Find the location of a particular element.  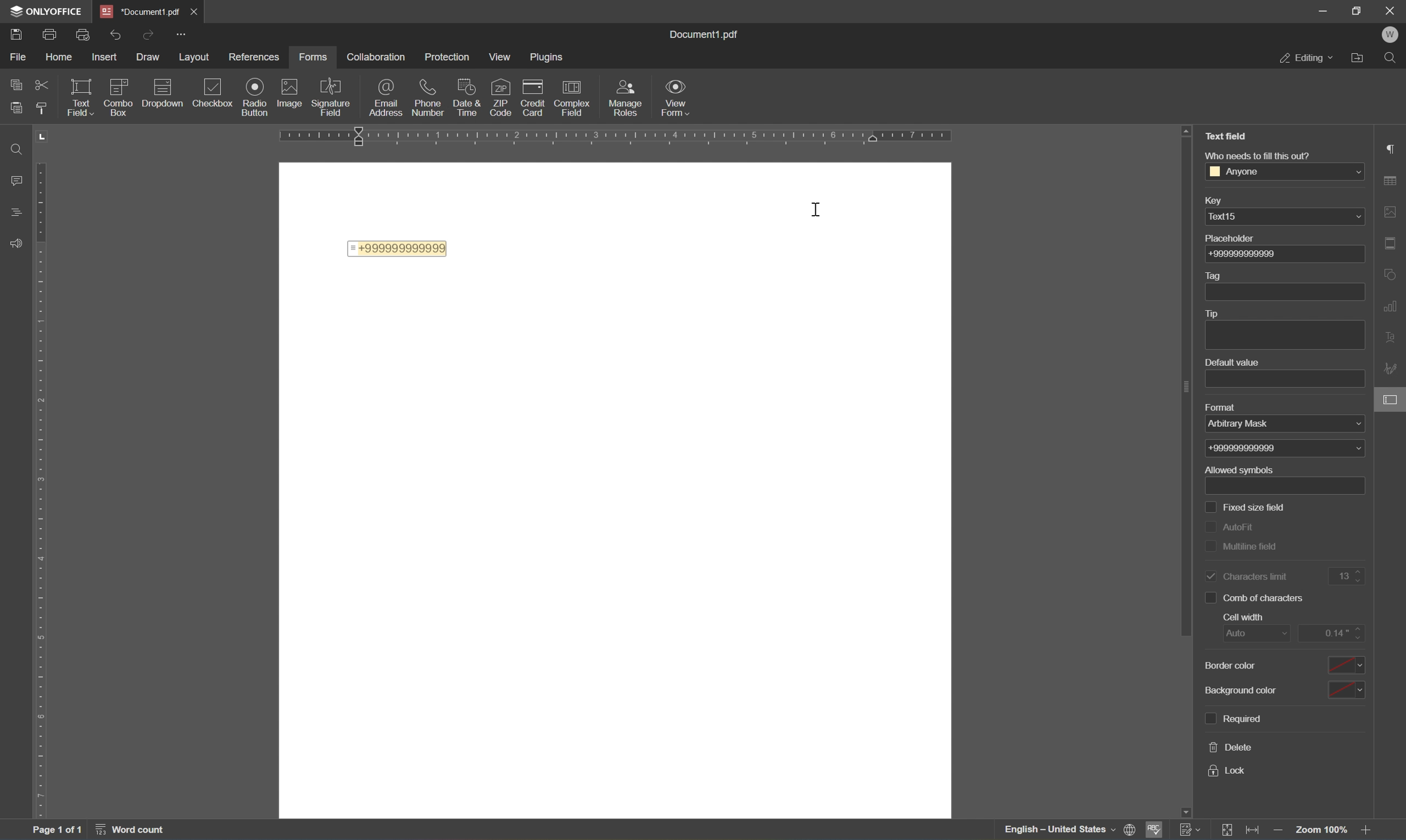

spell checking is located at coordinates (1155, 830).